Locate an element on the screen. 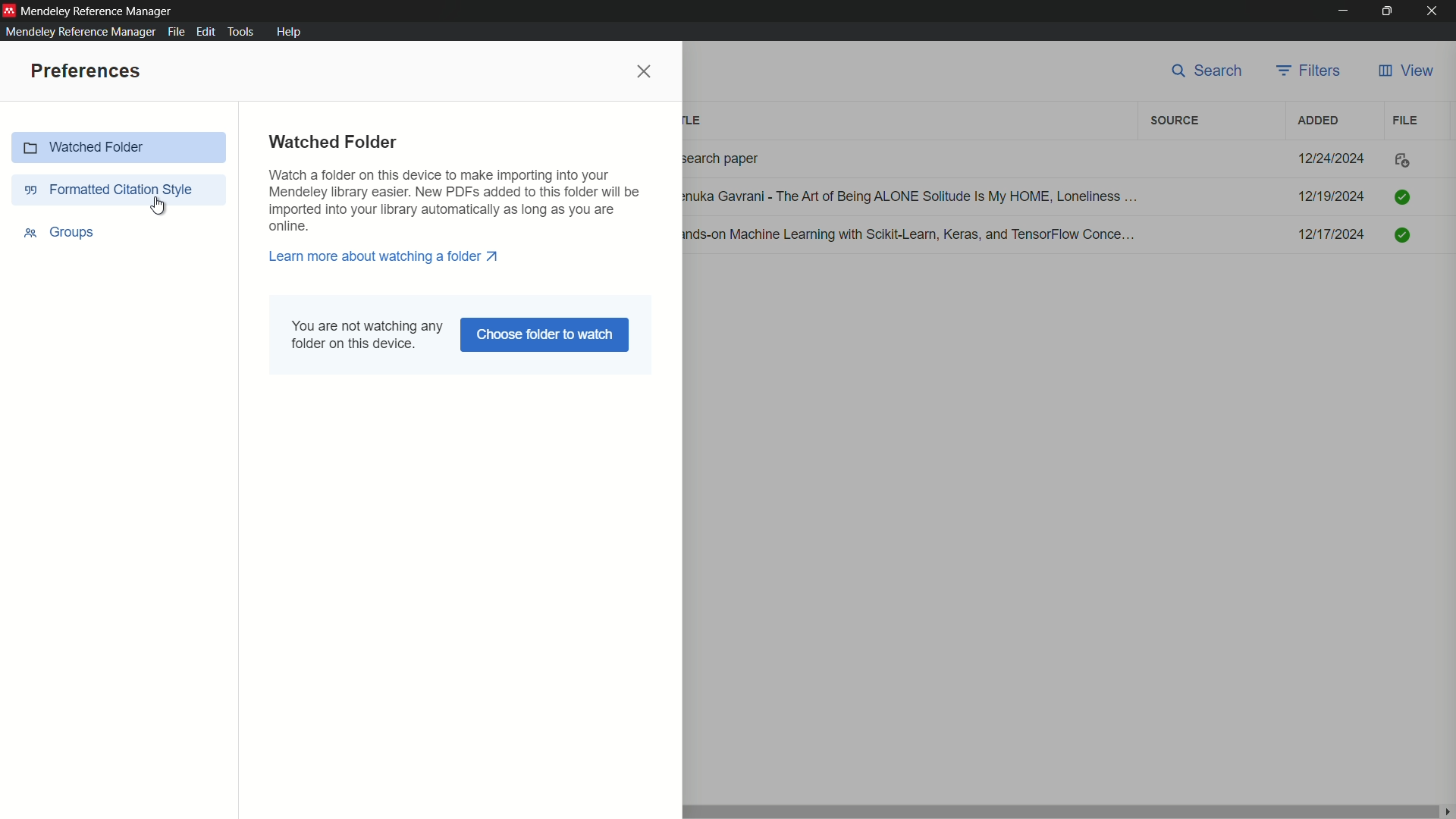 This screenshot has height=819, width=1456. edit menu is located at coordinates (206, 32).